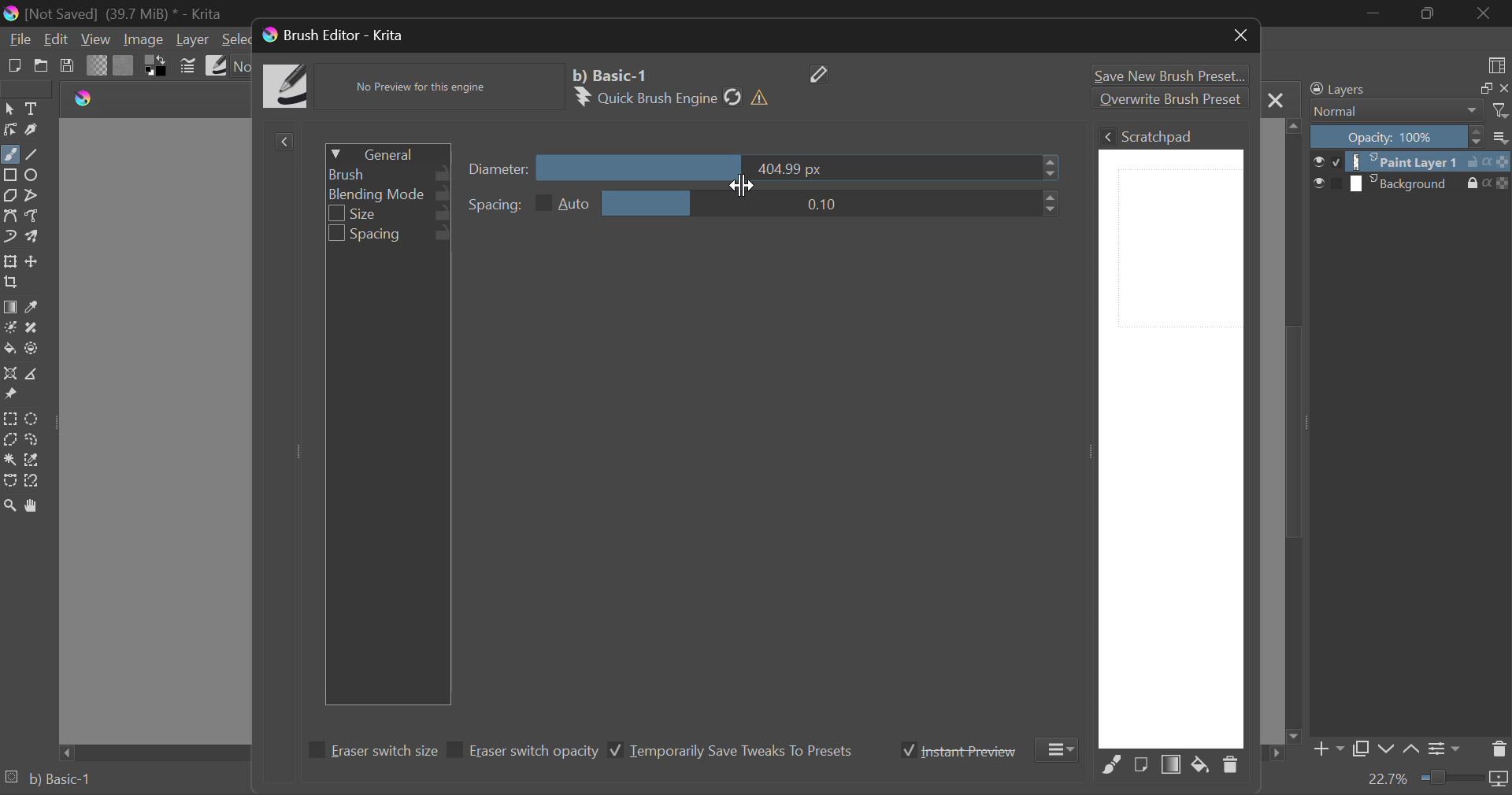 This screenshot has width=1512, height=795. Describe the element at coordinates (802, 168) in the screenshot. I see `diameter slider` at that location.